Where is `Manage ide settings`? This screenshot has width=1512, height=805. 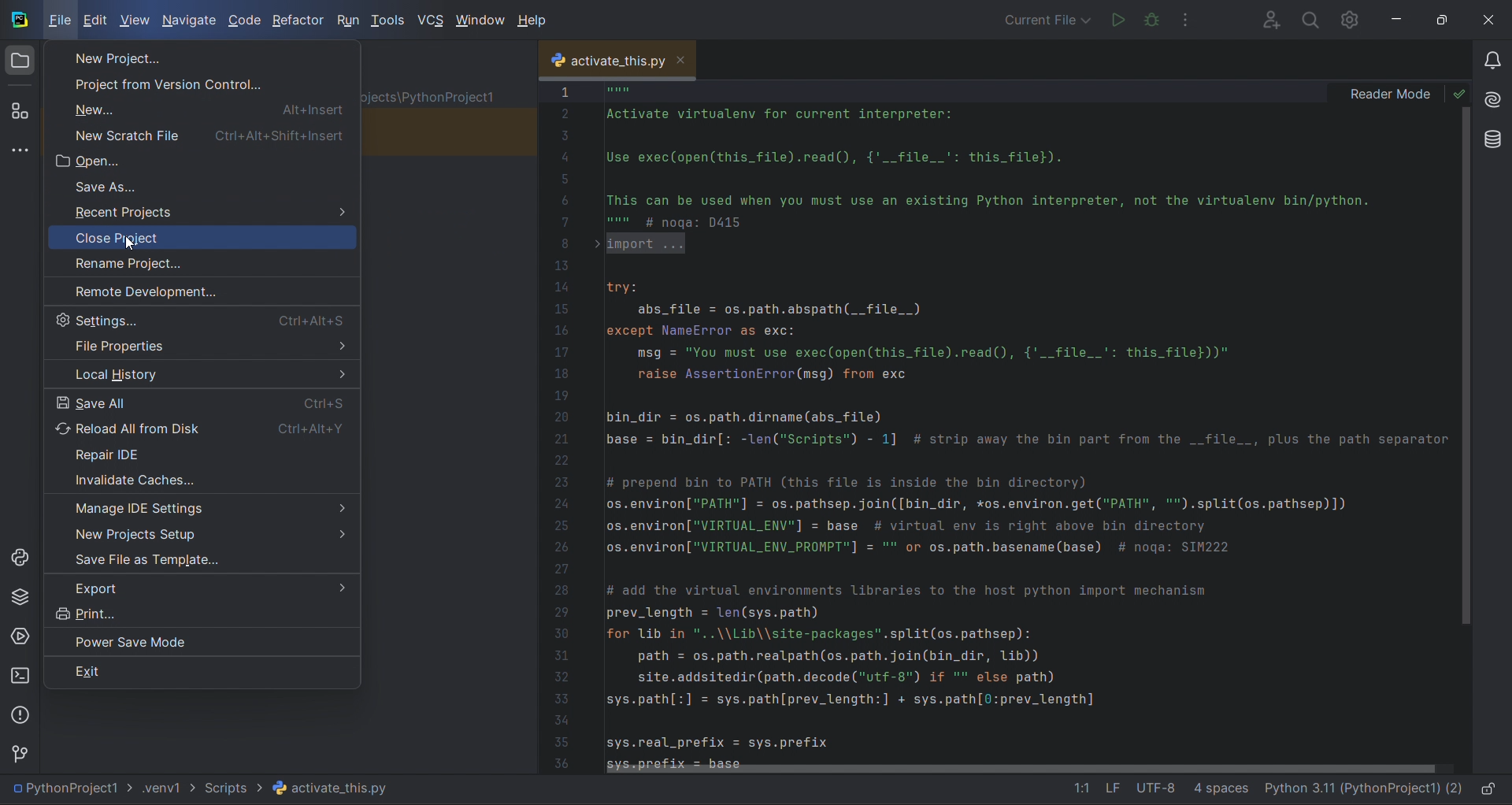 Manage ide settings is located at coordinates (205, 504).